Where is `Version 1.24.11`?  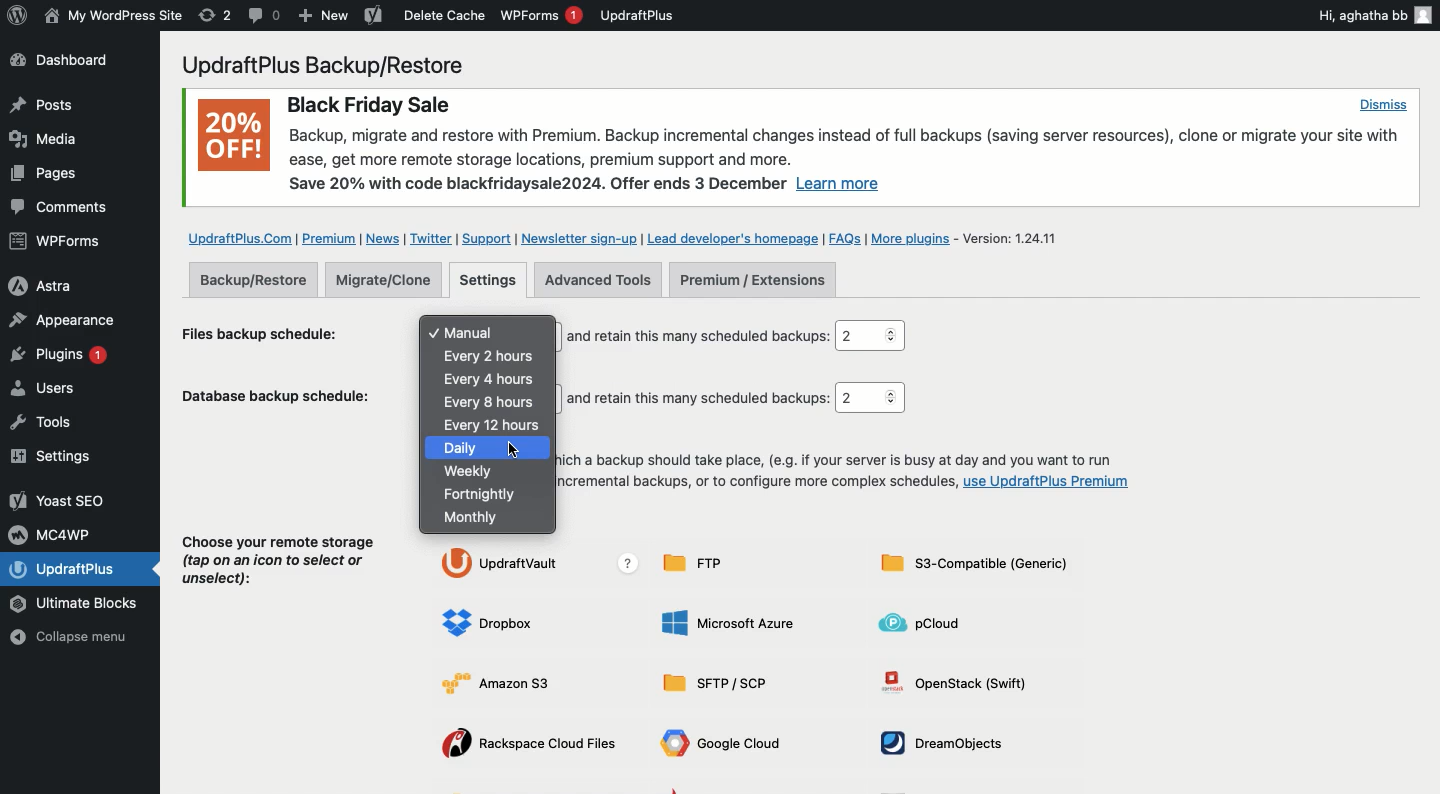 Version 1.24.11 is located at coordinates (1018, 237).